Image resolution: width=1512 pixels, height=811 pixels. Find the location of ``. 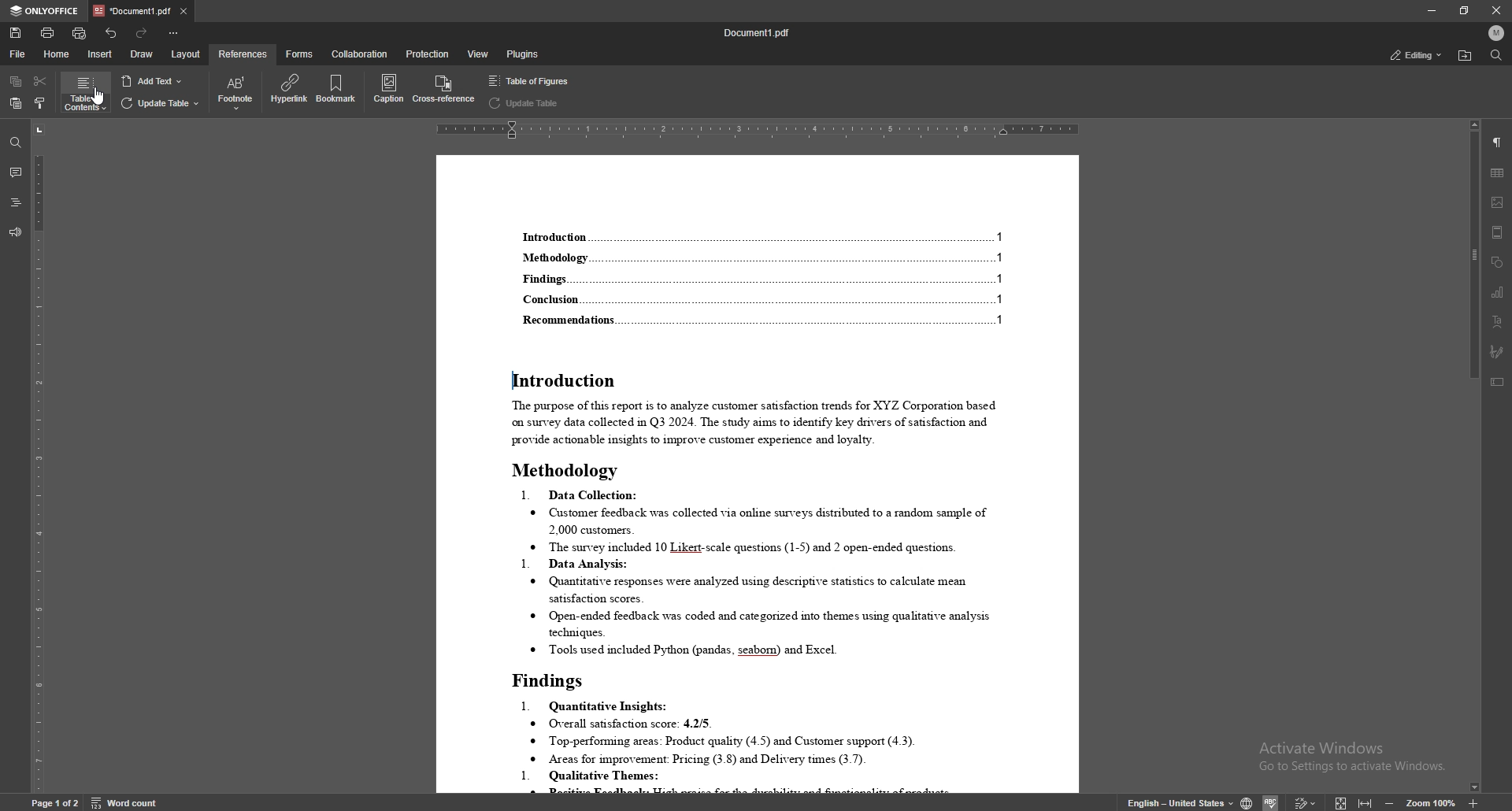

 is located at coordinates (1303, 803).